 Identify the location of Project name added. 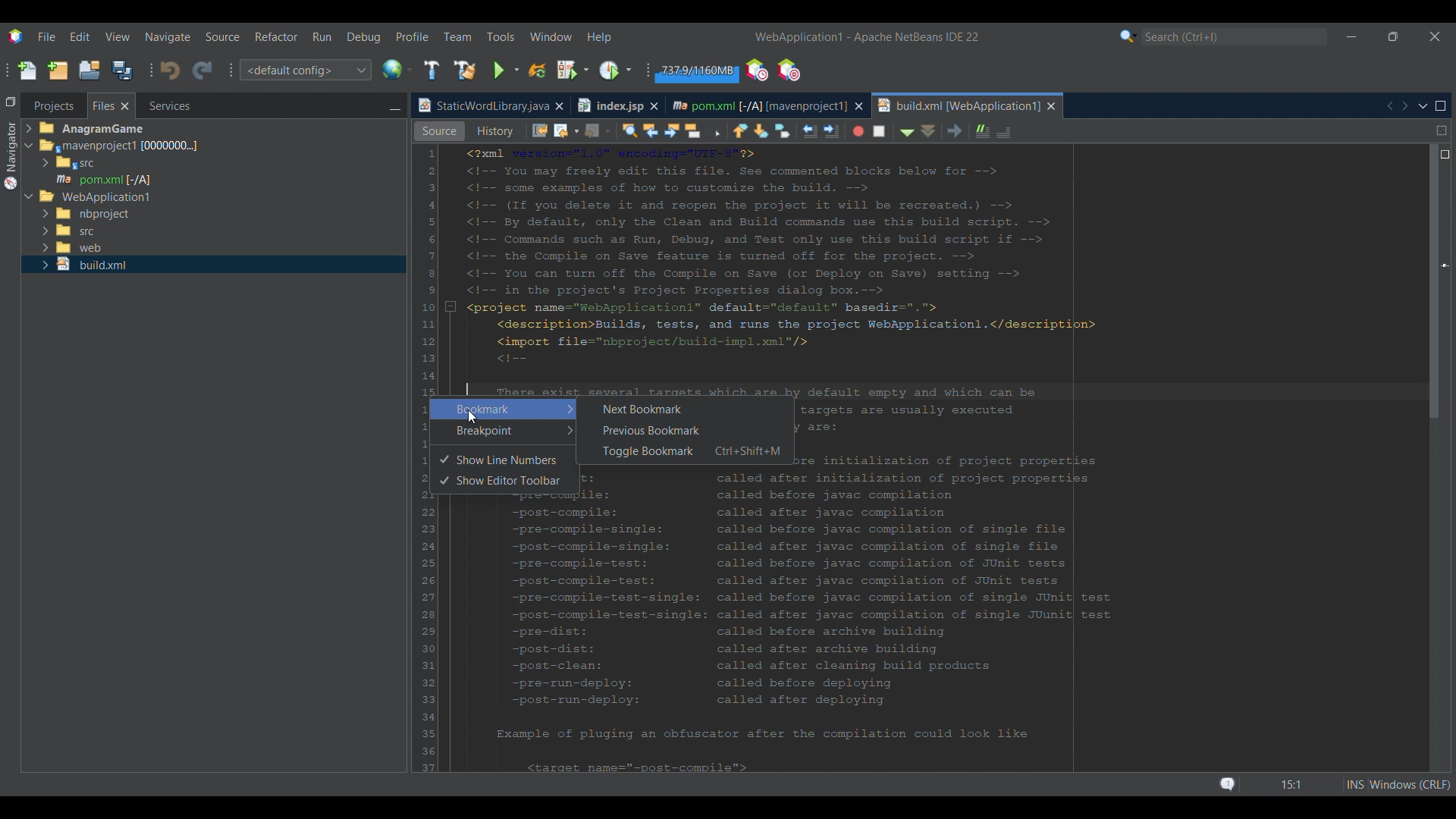
(867, 37).